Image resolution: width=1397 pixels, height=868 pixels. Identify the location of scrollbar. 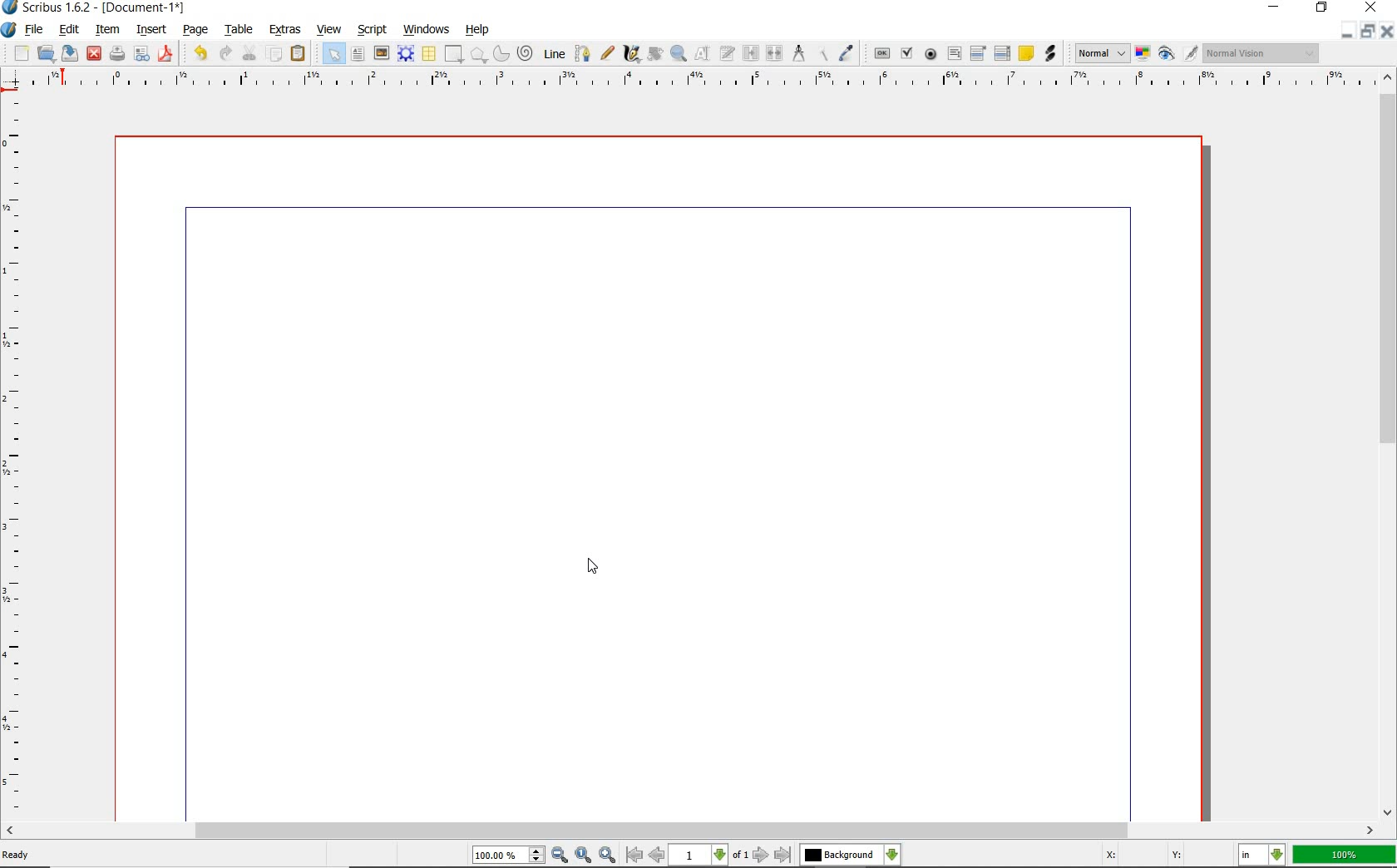
(1387, 445).